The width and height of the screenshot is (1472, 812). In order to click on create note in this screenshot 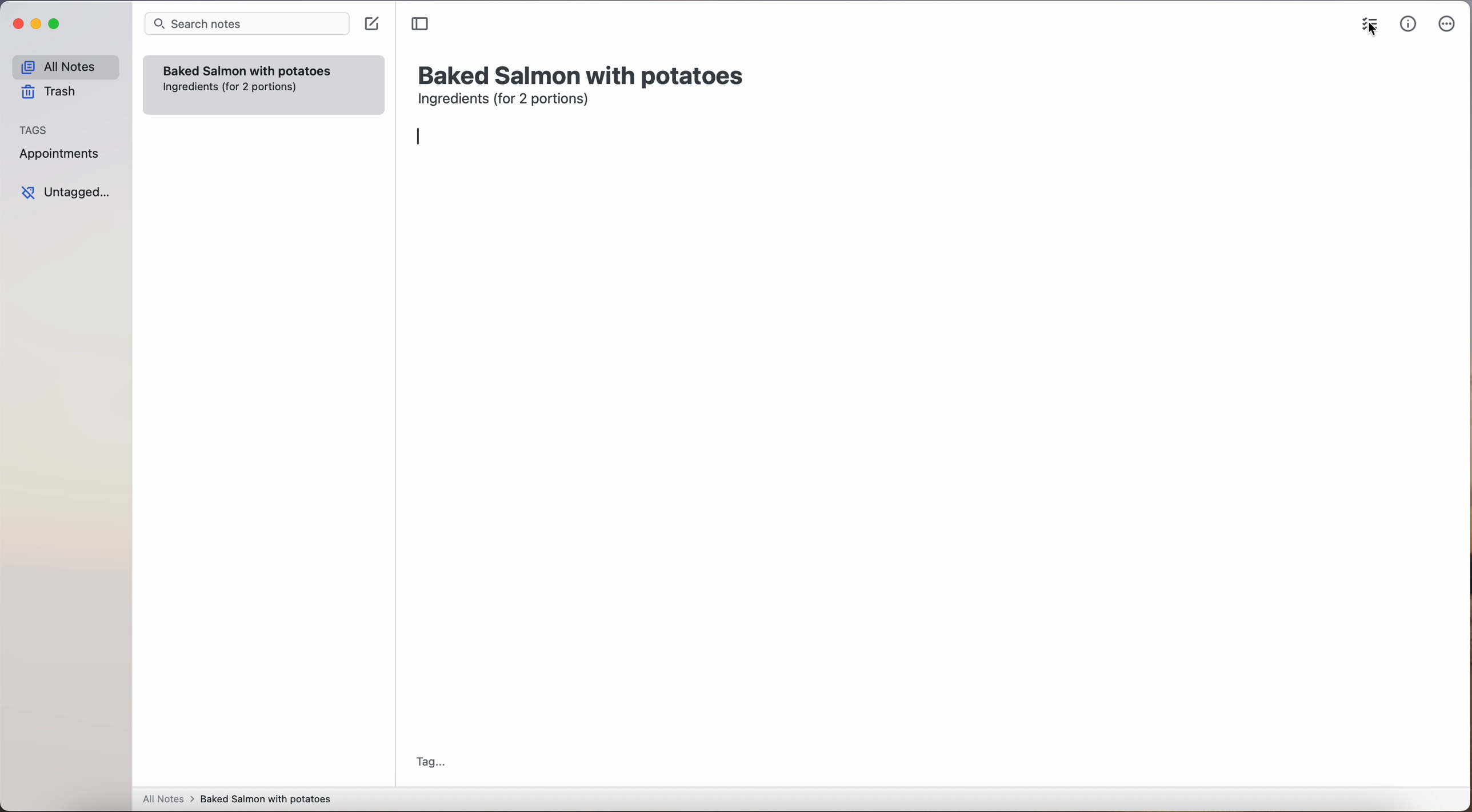, I will do `click(371, 24)`.